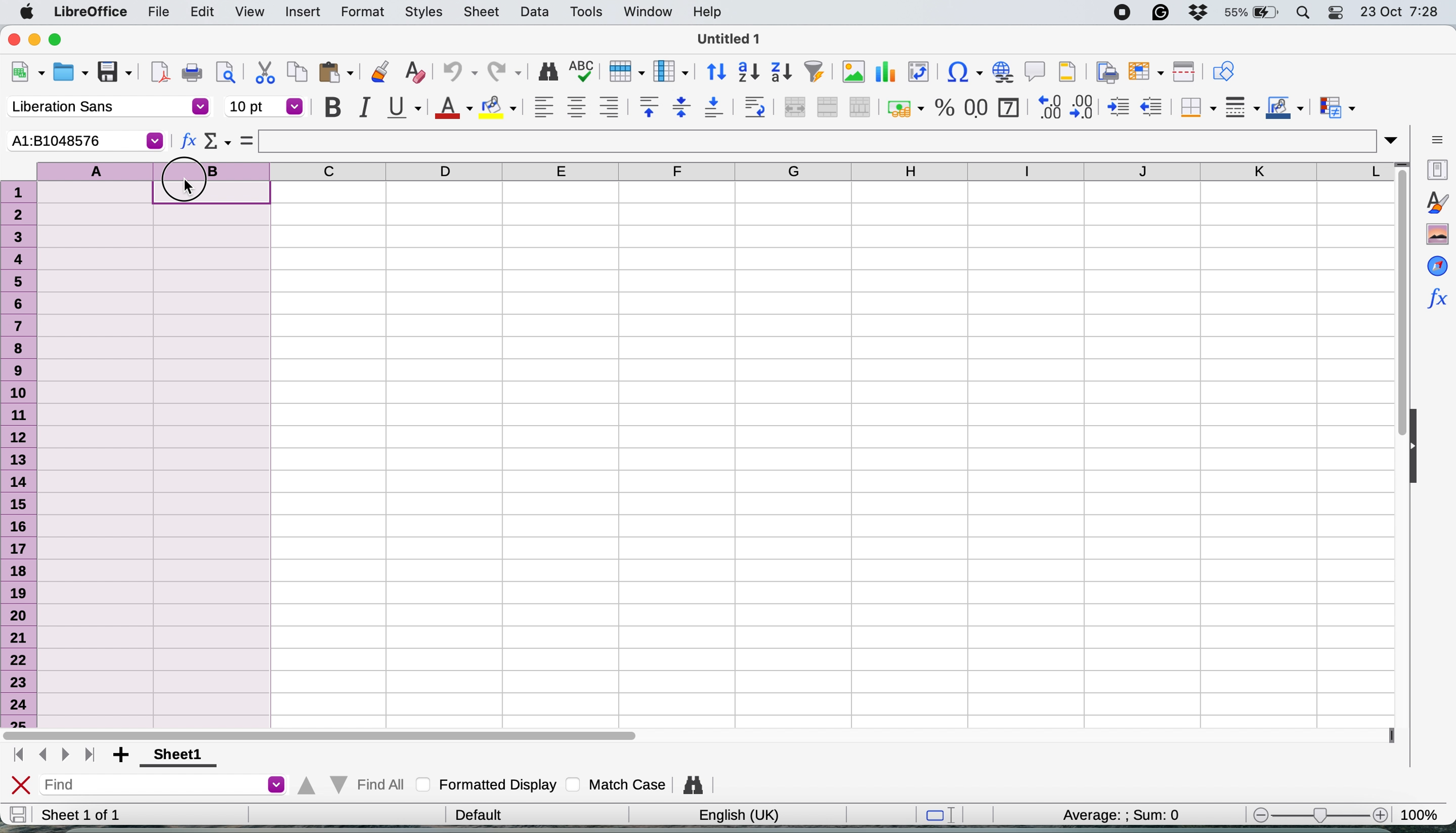 The height and width of the screenshot is (833, 1456). I want to click on expand formula bar, so click(1395, 140).